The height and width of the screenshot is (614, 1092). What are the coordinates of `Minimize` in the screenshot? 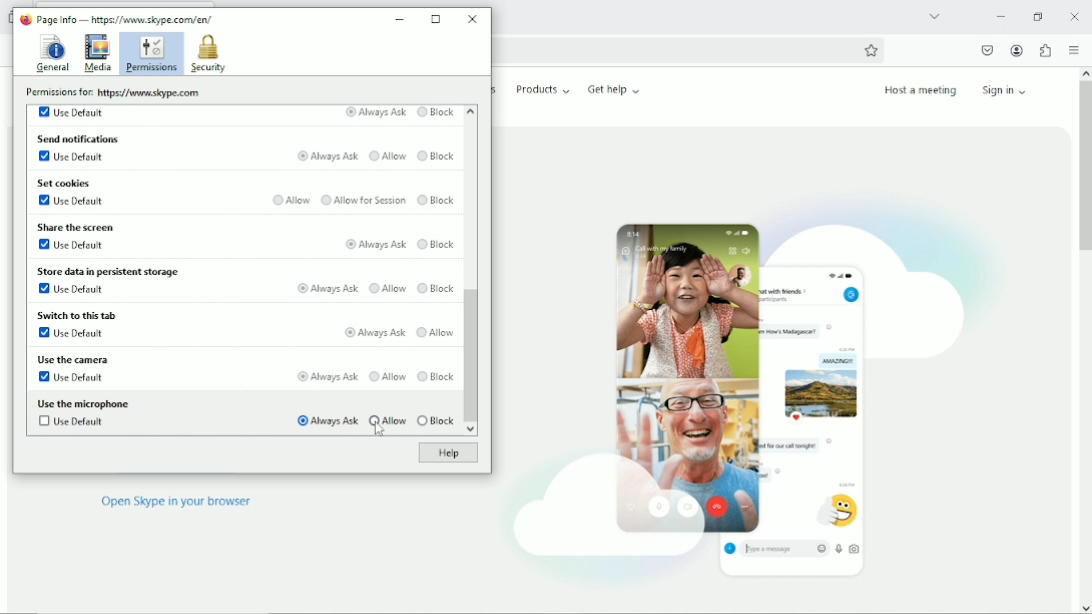 It's located at (1000, 16).